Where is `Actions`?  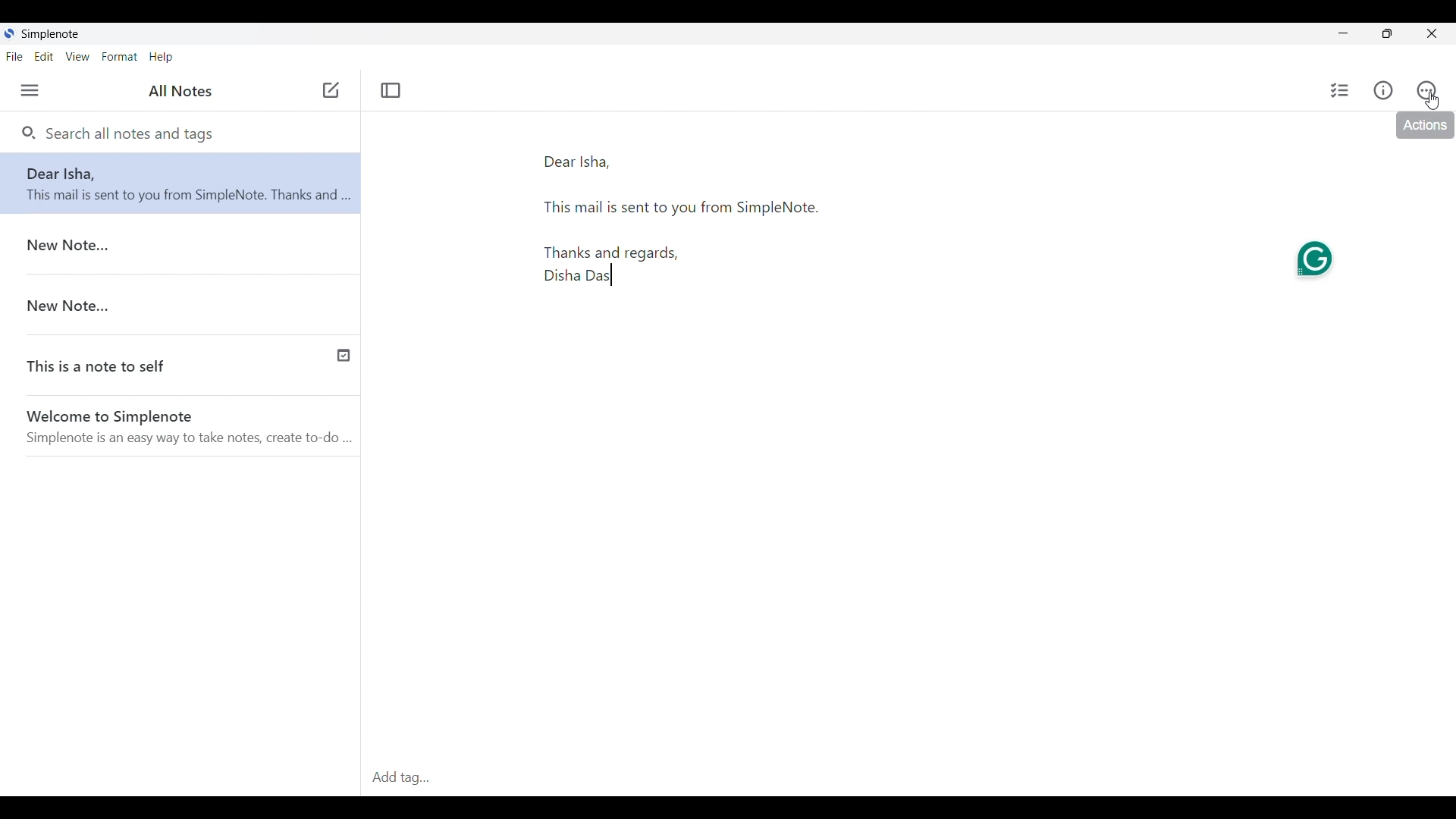 Actions is located at coordinates (1426, 90).